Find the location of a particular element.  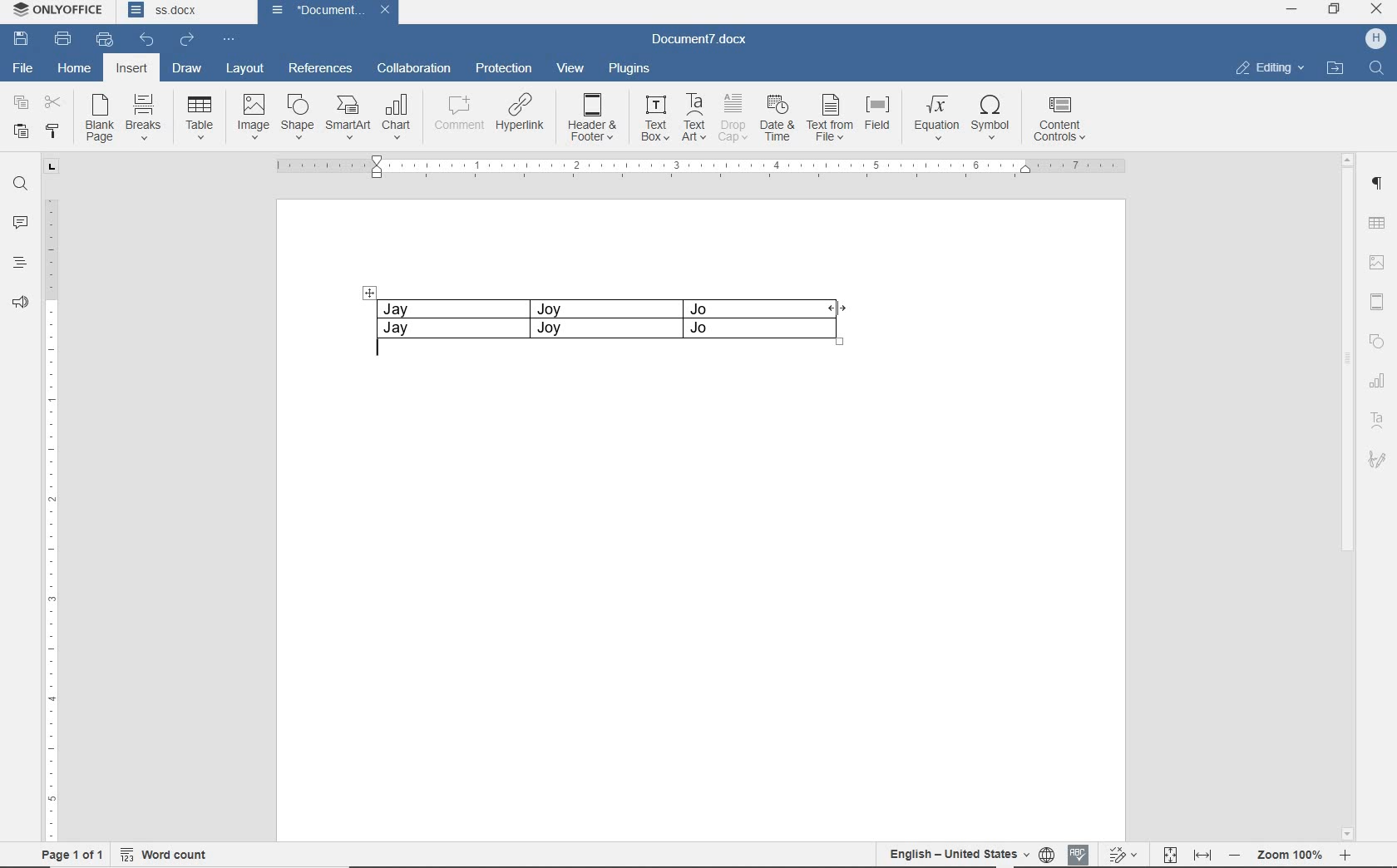

SAVE is located at coordinates (22, 39).